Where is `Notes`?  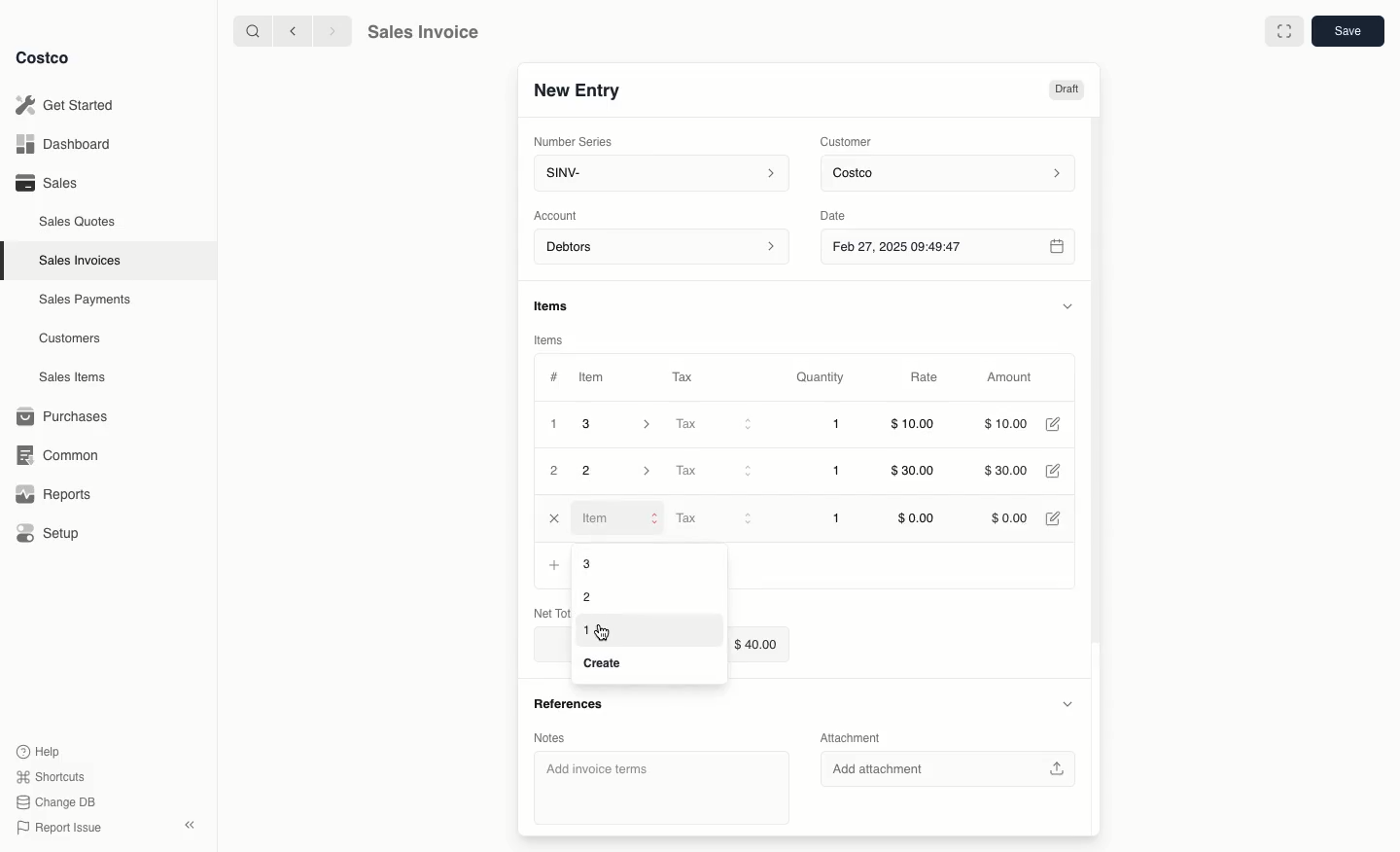 Notes is located at coordinates (557, 739).